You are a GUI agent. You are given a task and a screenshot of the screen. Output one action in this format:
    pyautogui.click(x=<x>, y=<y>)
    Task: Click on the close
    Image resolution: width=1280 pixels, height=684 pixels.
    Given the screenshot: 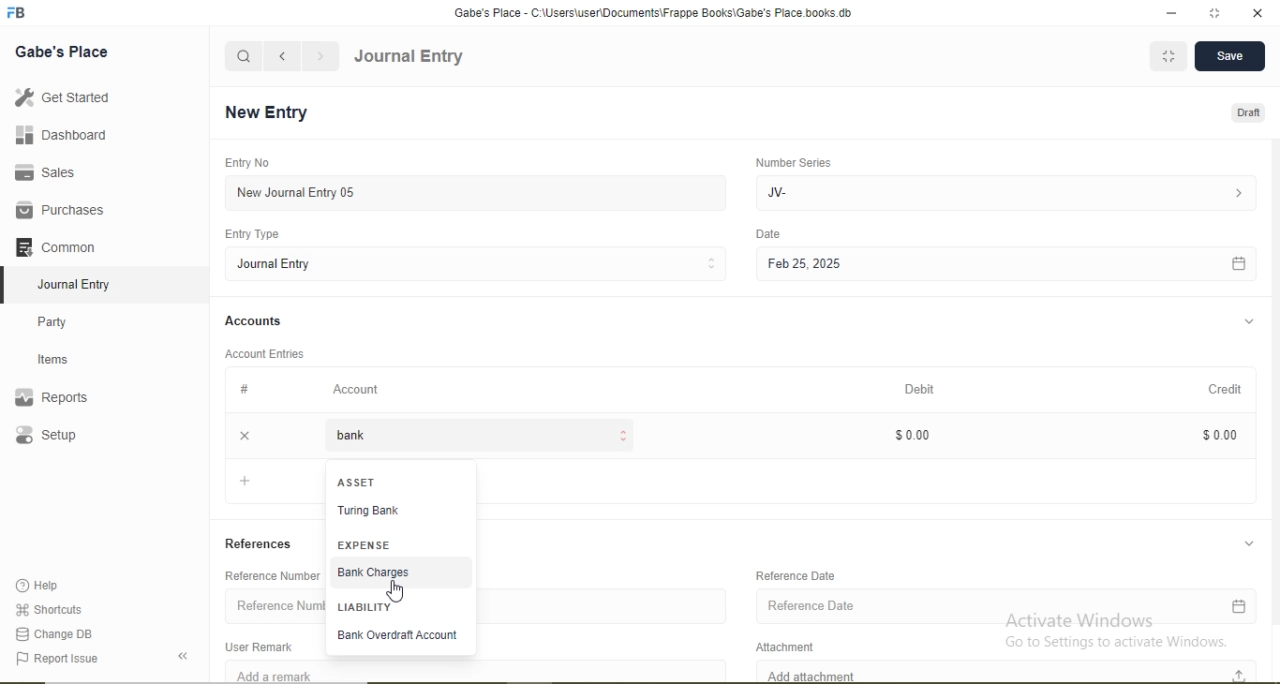 What is the action you would take?
    pyautogui.click(x=242, y=434)
    